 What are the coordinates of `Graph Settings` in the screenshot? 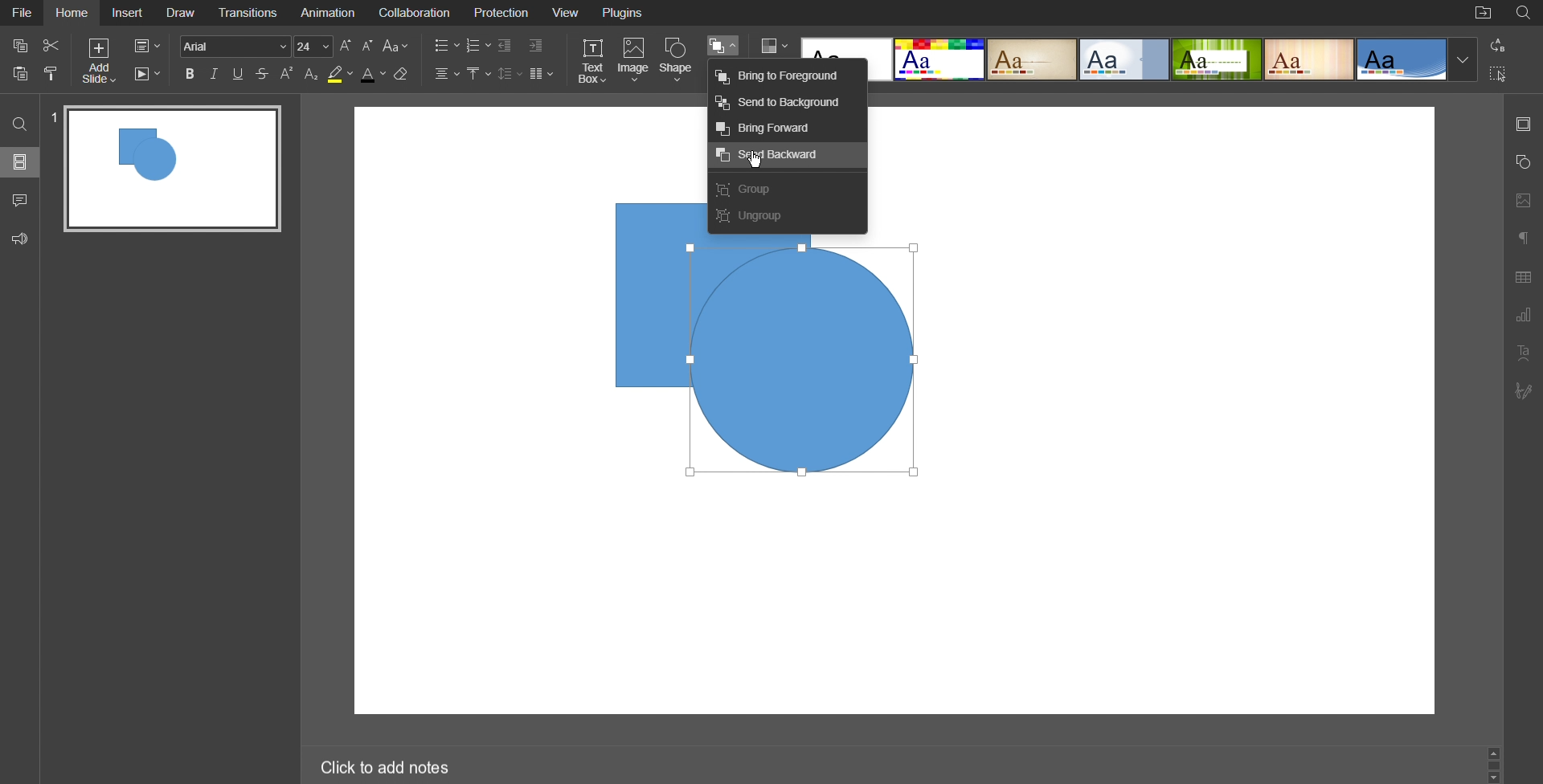 It's located at (1524, 316).